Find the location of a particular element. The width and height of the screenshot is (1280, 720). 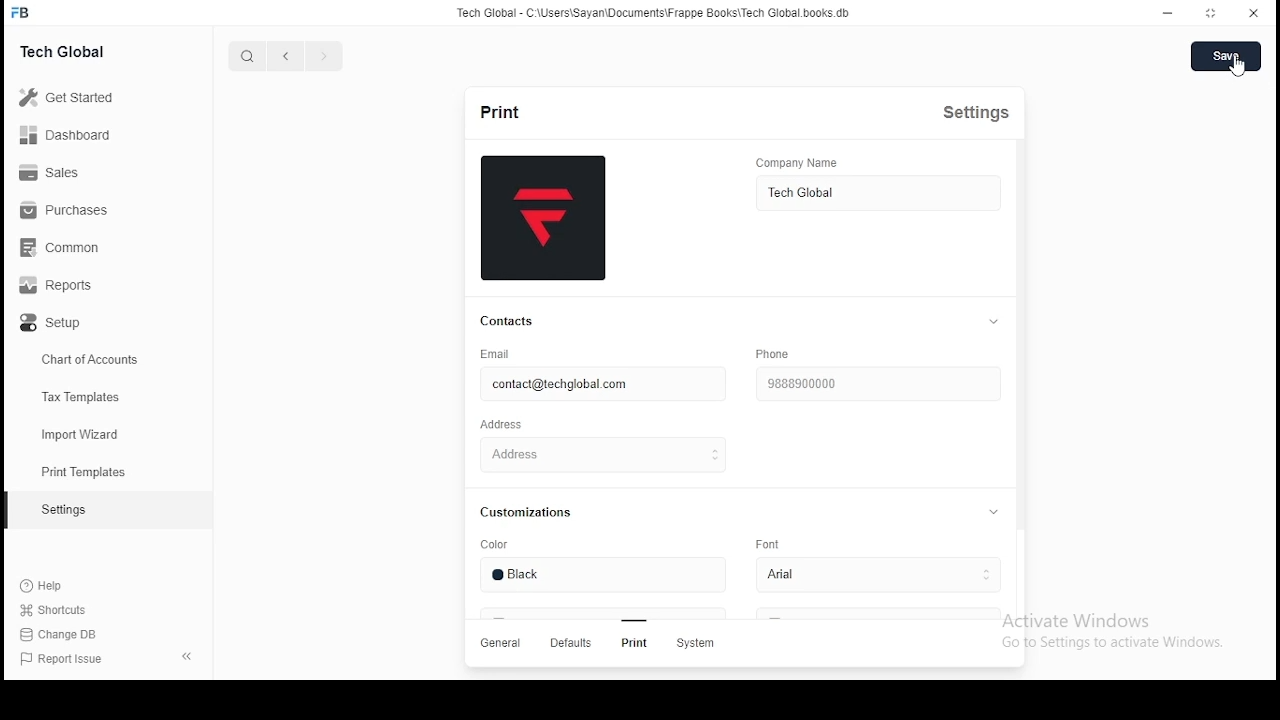

Customizations. is located at coordinates (536, 515).